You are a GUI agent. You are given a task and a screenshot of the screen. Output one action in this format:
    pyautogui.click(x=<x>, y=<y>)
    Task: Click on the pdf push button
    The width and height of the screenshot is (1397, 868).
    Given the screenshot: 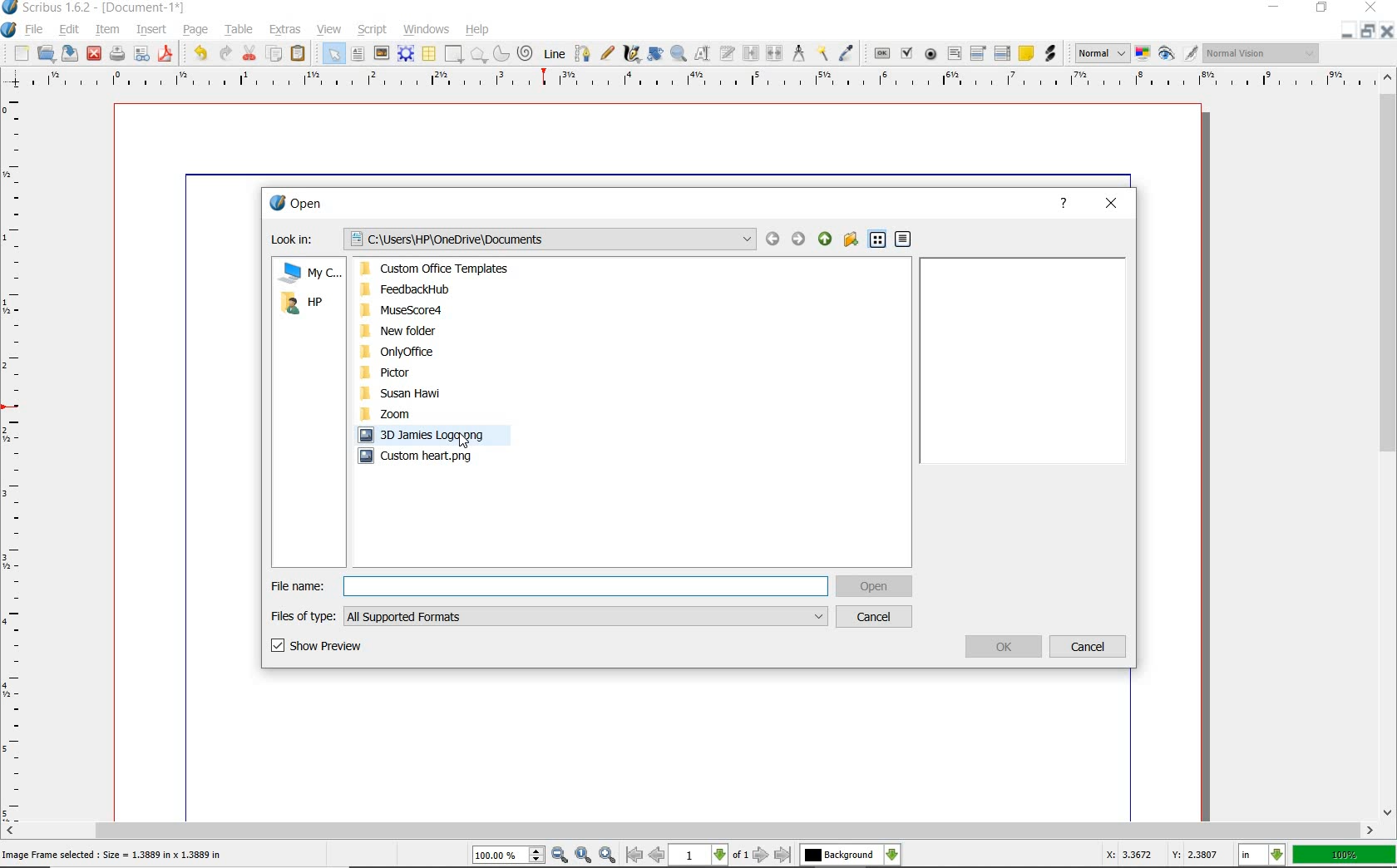 What is the action you would take?
    pyautogui.click(x=881, y=55)
    